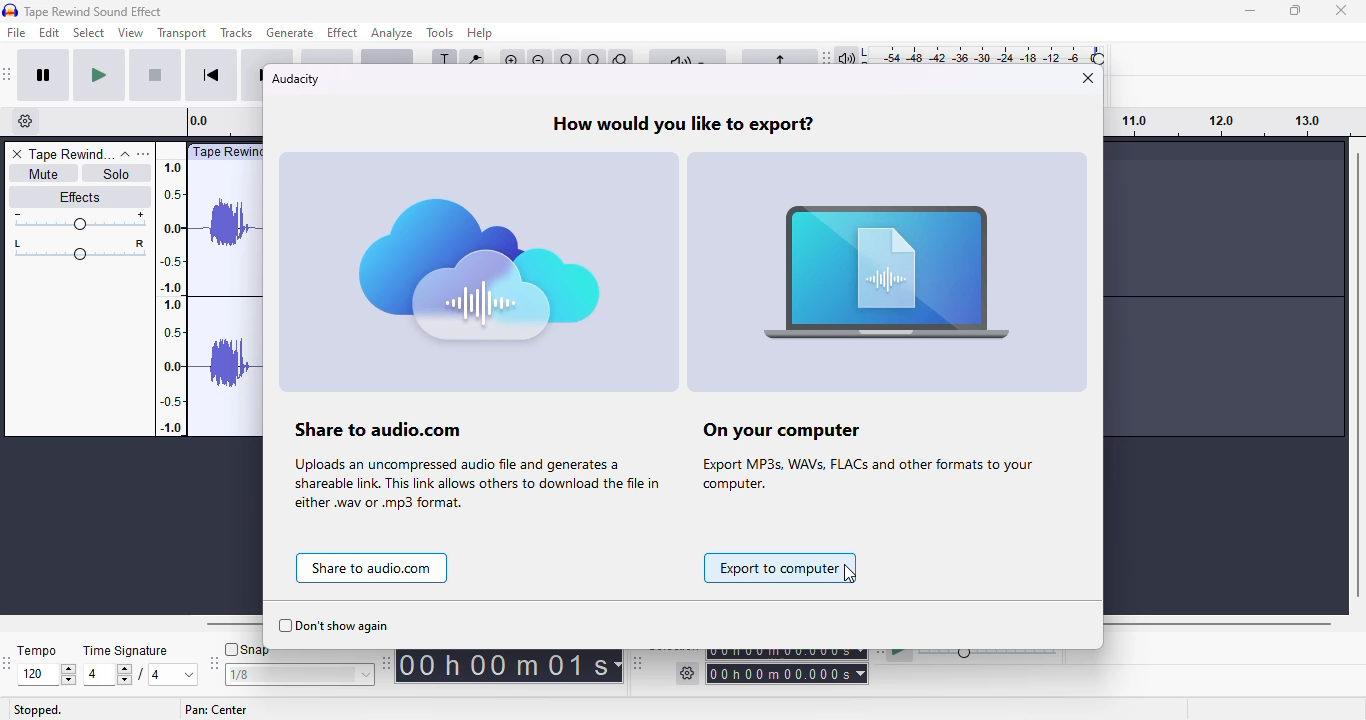 This screenshot has width=1366, height=720. Describe the element at coordinates (146, 154) in the screenshot. I see `open menu` at that location.